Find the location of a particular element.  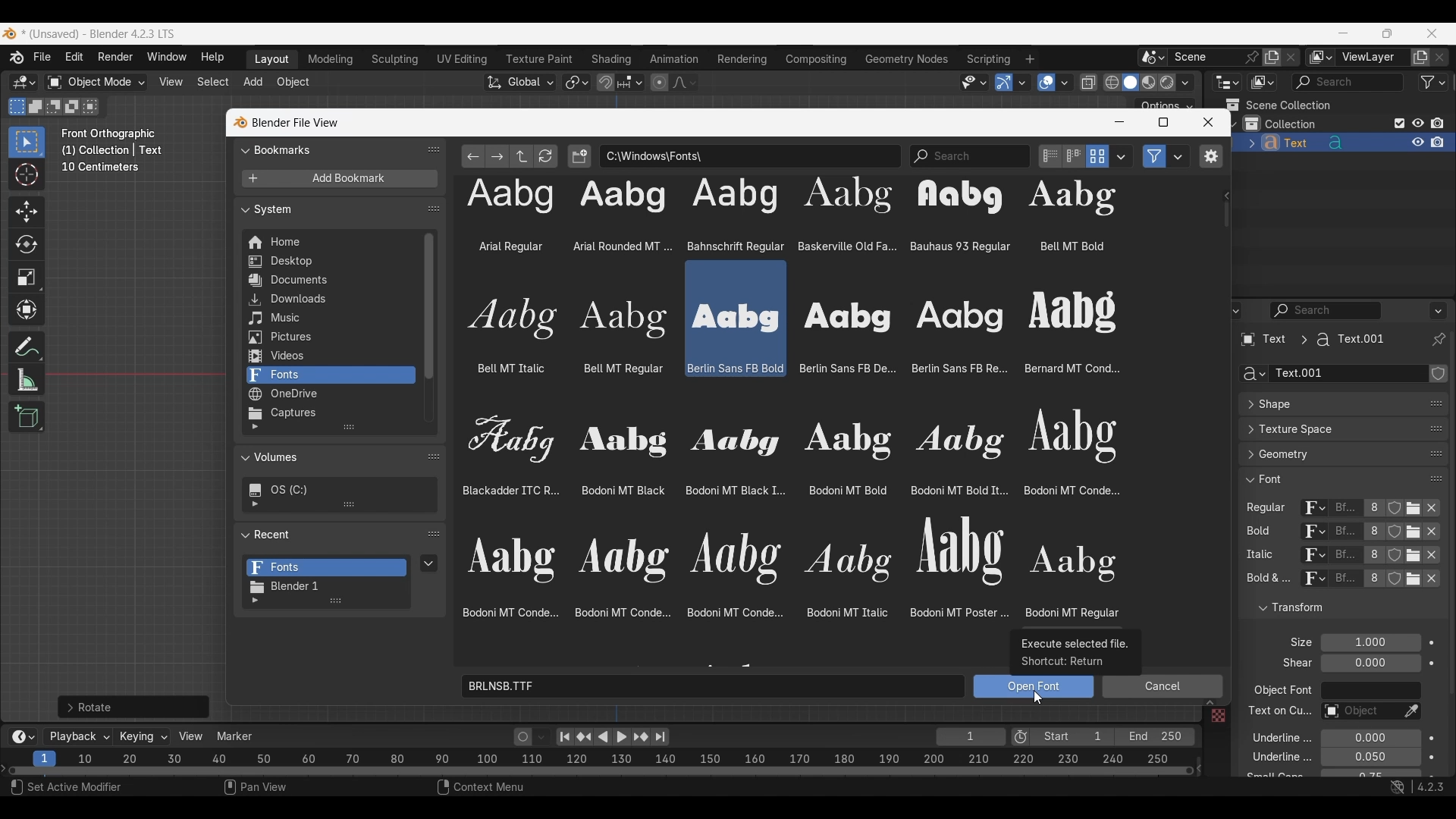

Cursor selecting vertical slide bar is located at coordinates (1227, 215).